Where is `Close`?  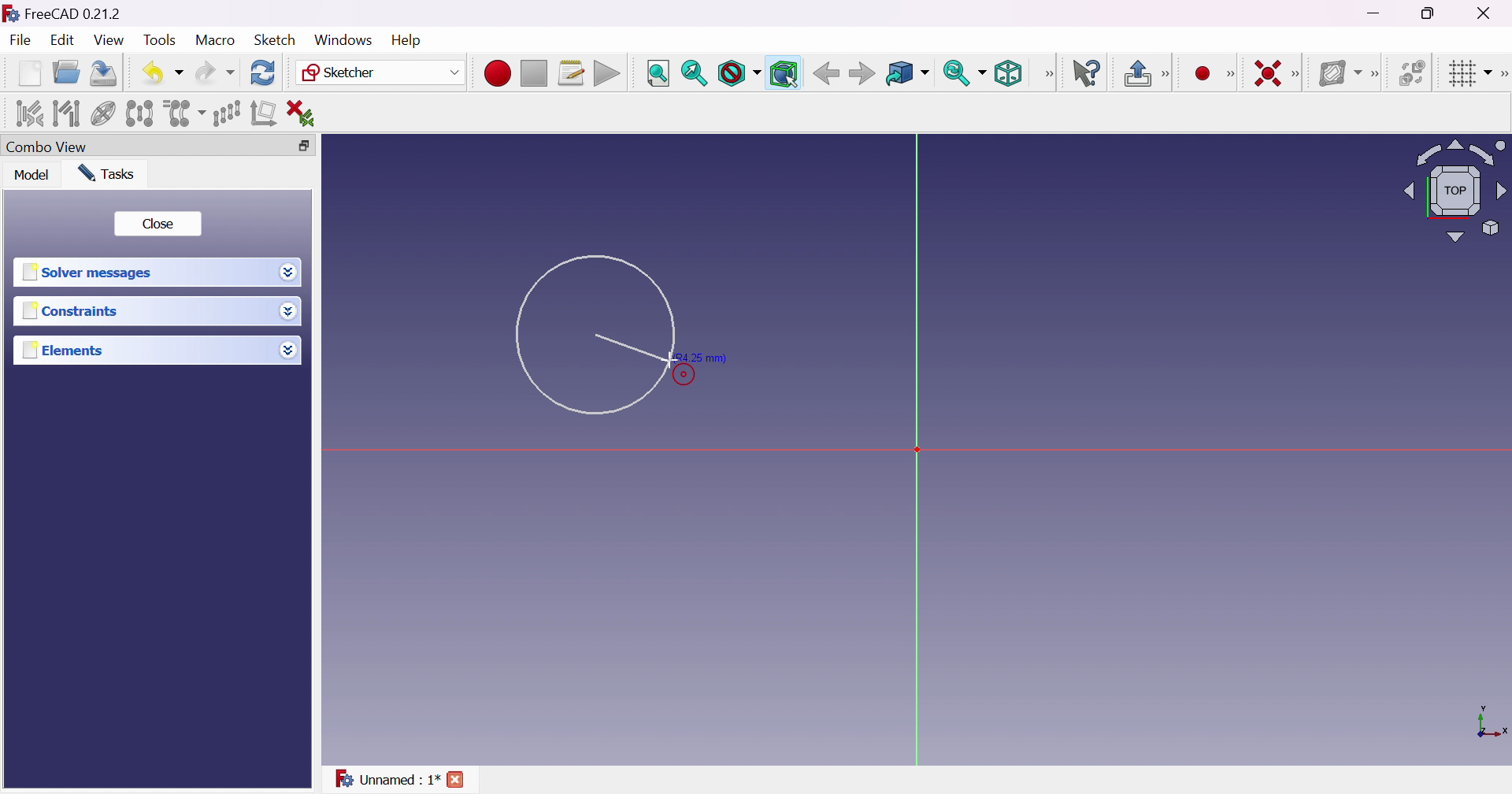 Close is located at coordinates (159, 222).